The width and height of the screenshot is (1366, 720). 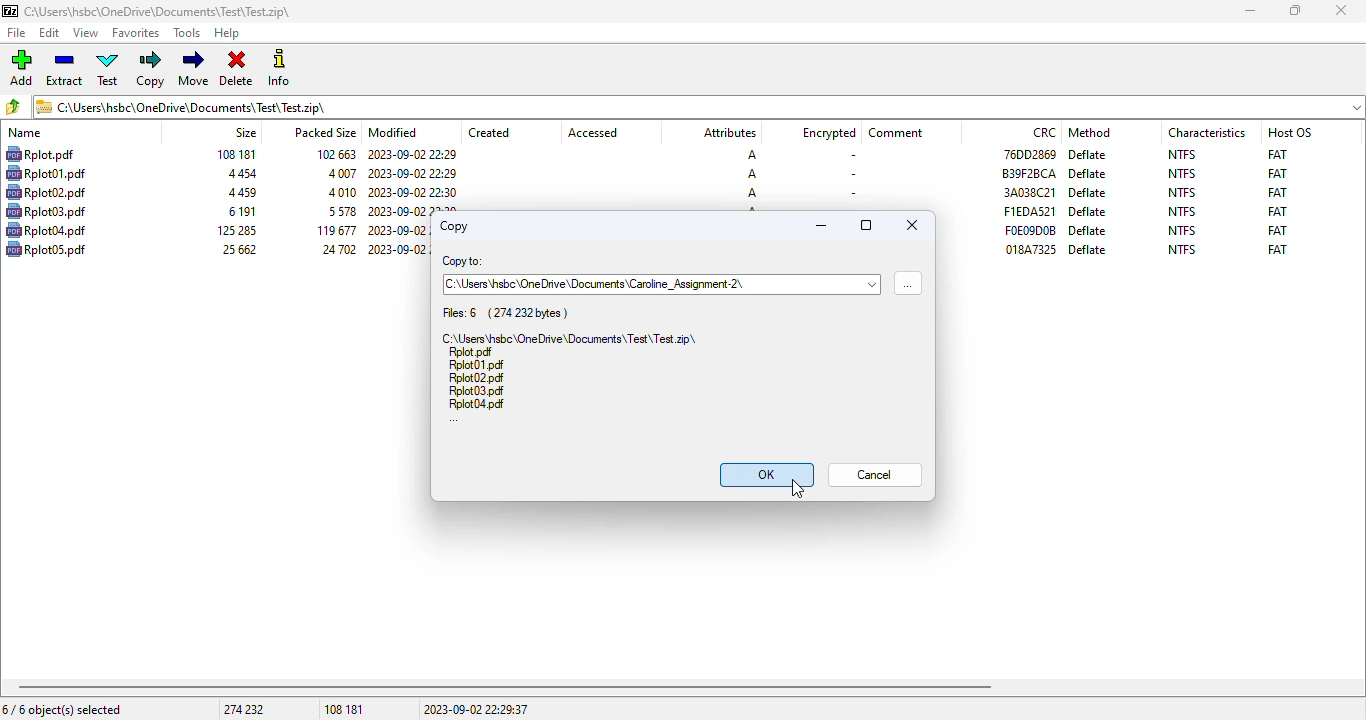 What do you see at coordinates (1030, 230) in the screenshot?
I see `CRC` at bounding box center [1030, 230].